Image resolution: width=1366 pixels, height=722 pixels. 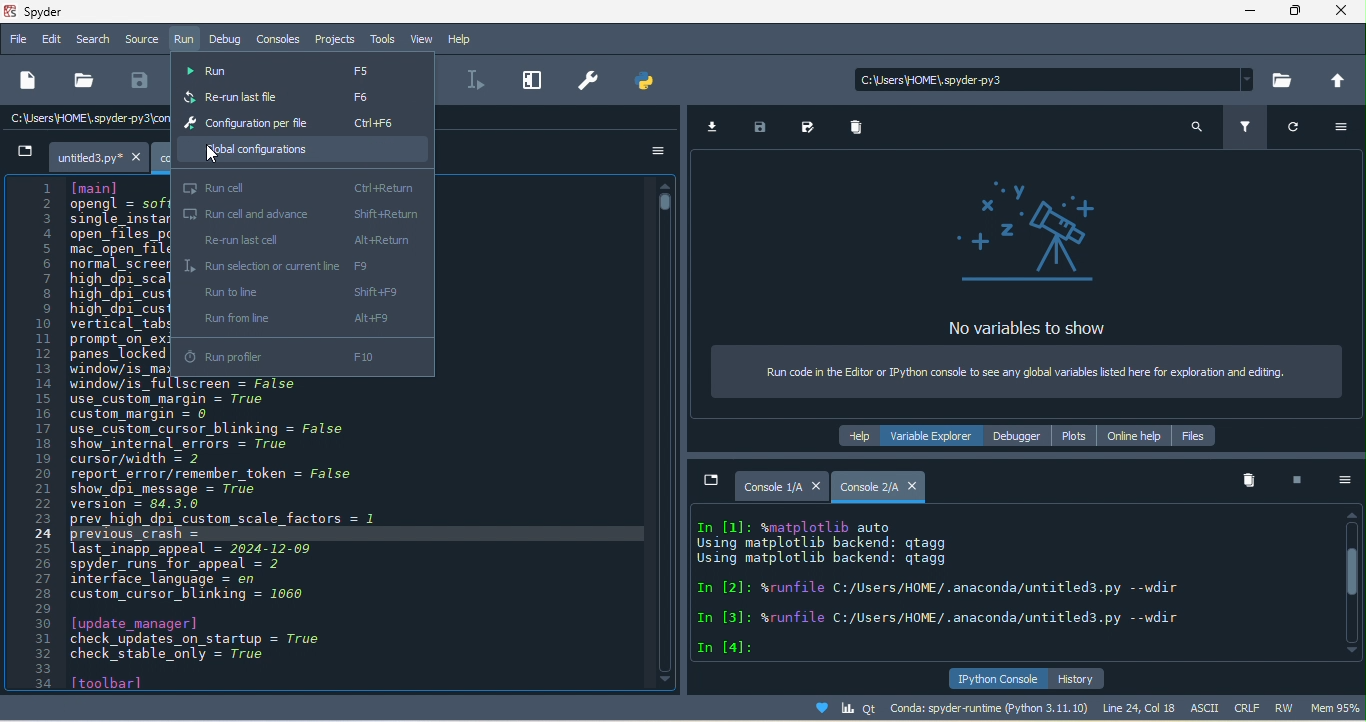 What do you see at coordinates (1250, 708) in the screenshot?
I see `crlf` at bounding box center [1250, 708].